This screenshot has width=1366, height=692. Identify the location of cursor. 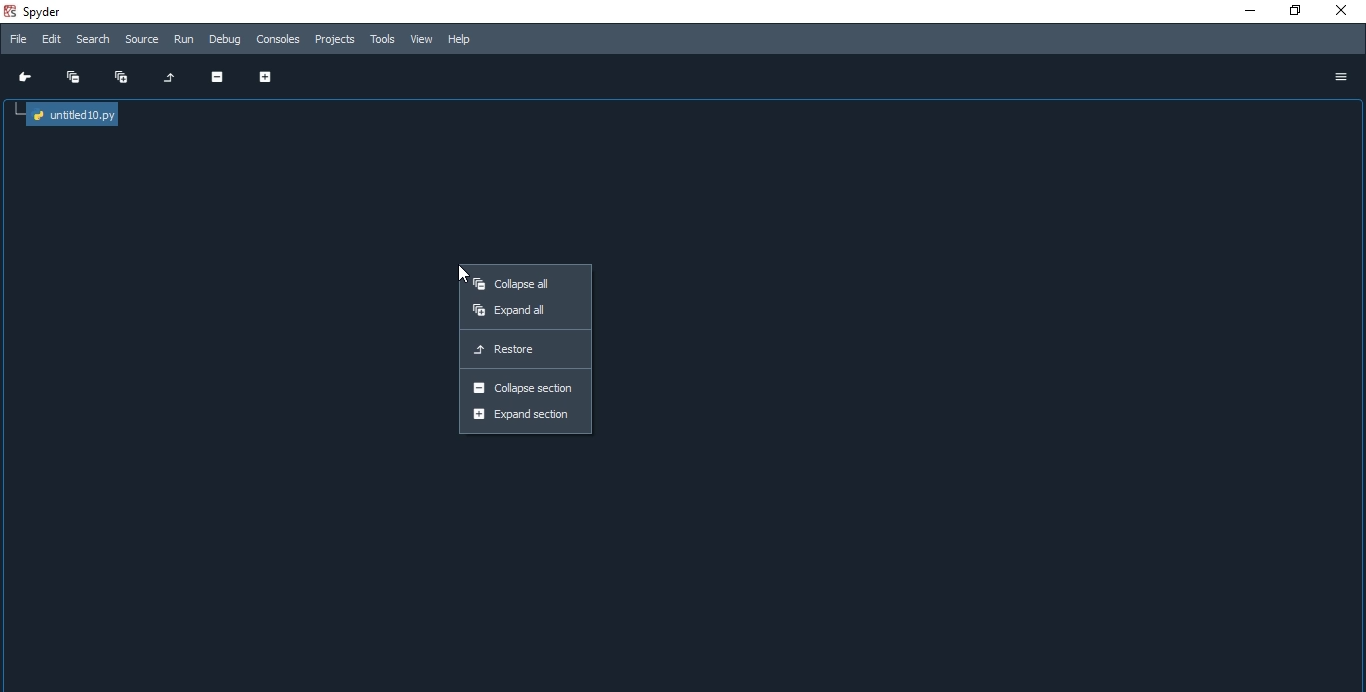
(463, 277).